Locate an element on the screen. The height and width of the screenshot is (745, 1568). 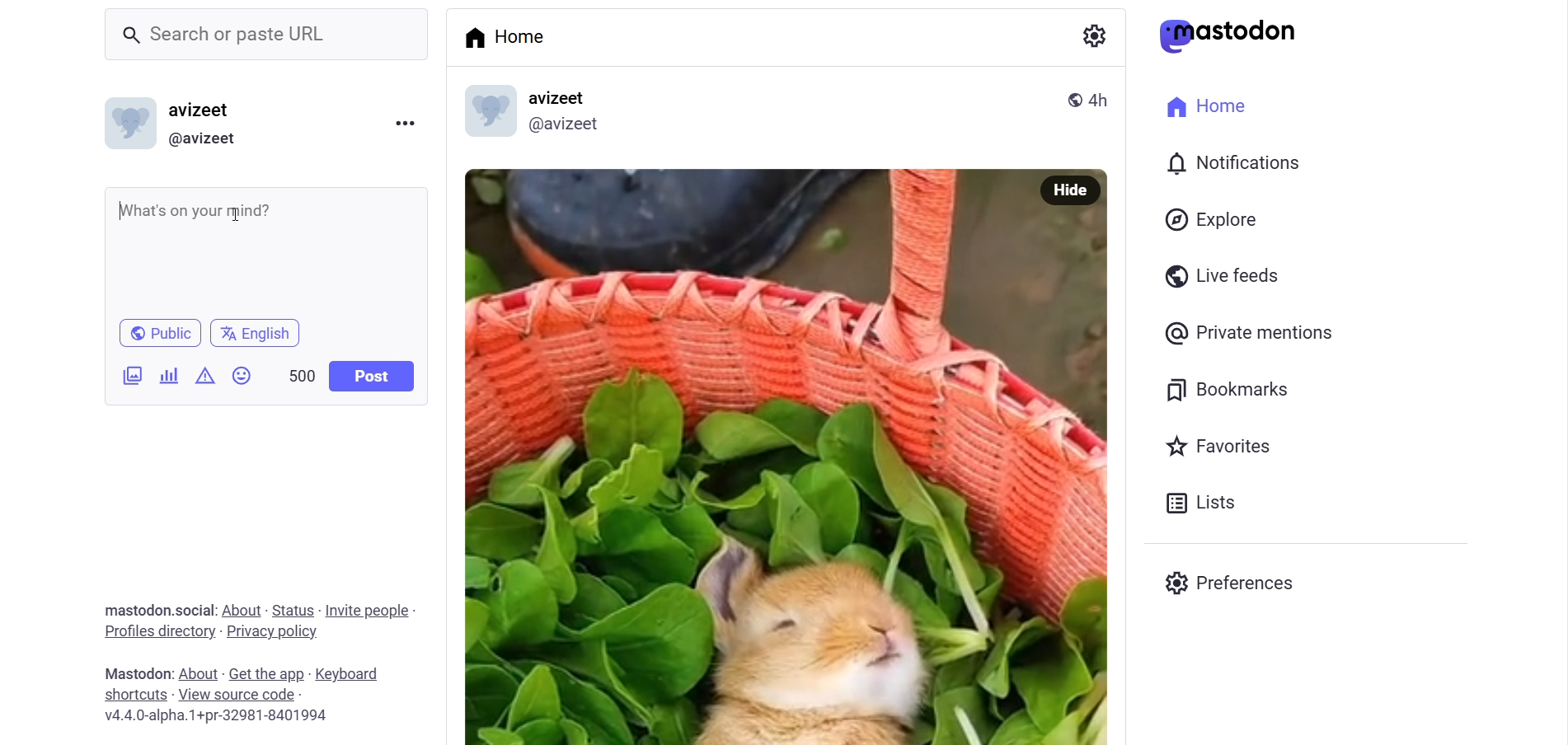
mastodon is located at coordinates (1229, 35).